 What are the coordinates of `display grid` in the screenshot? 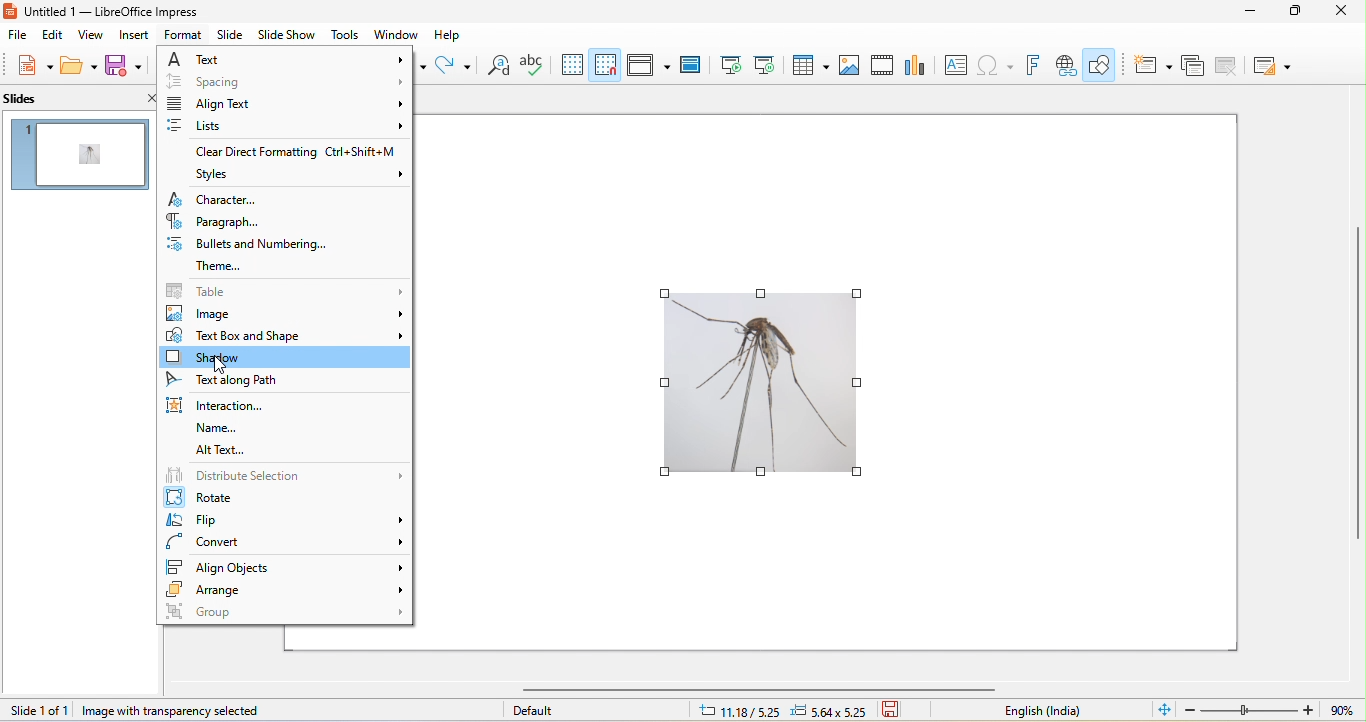 It's located at (571, 65).